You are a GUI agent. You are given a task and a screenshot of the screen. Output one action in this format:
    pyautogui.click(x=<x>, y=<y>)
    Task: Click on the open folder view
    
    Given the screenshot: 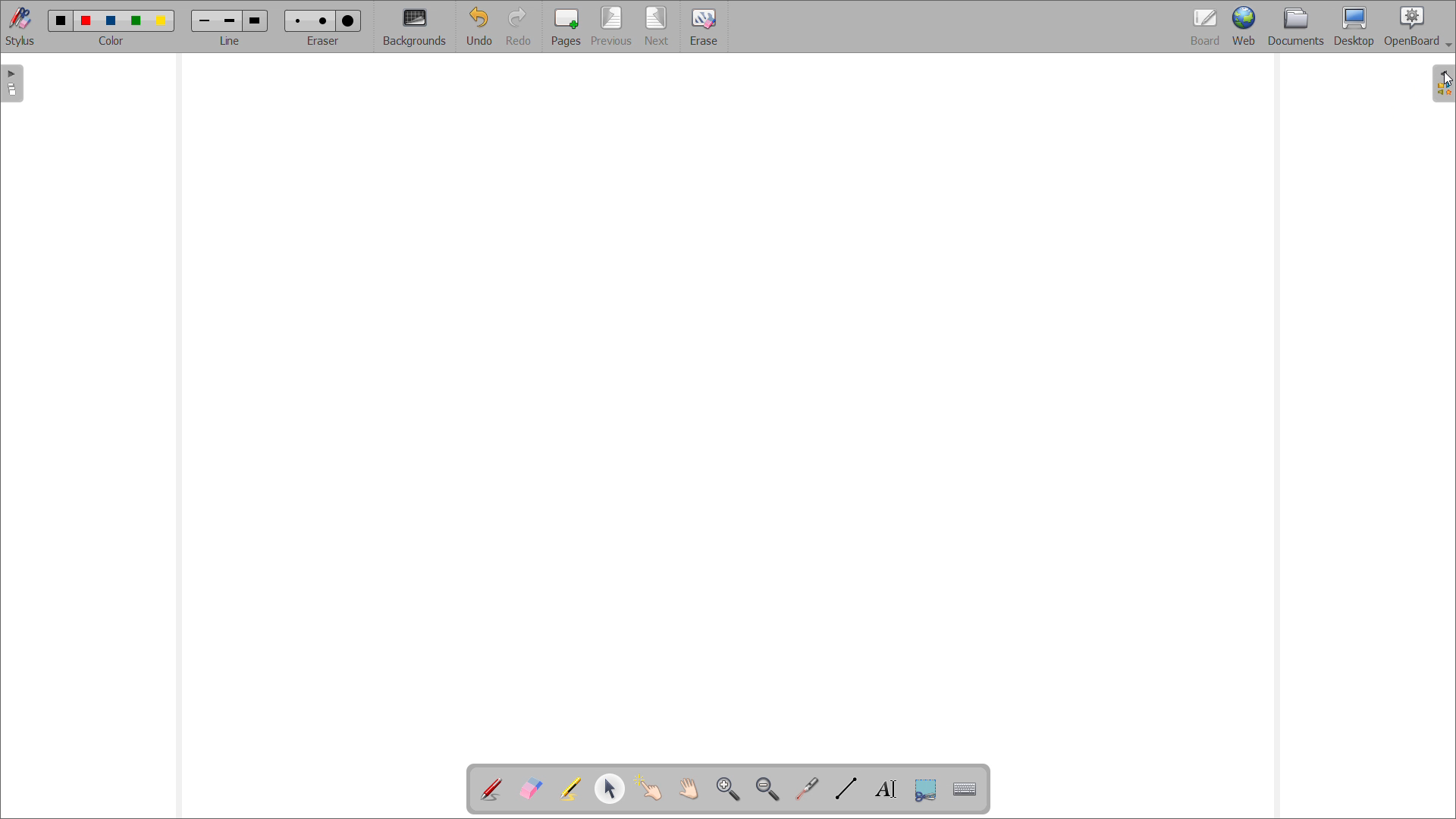 What is the action you would take?
    pyautogui.click(x=1442, y=83)
    